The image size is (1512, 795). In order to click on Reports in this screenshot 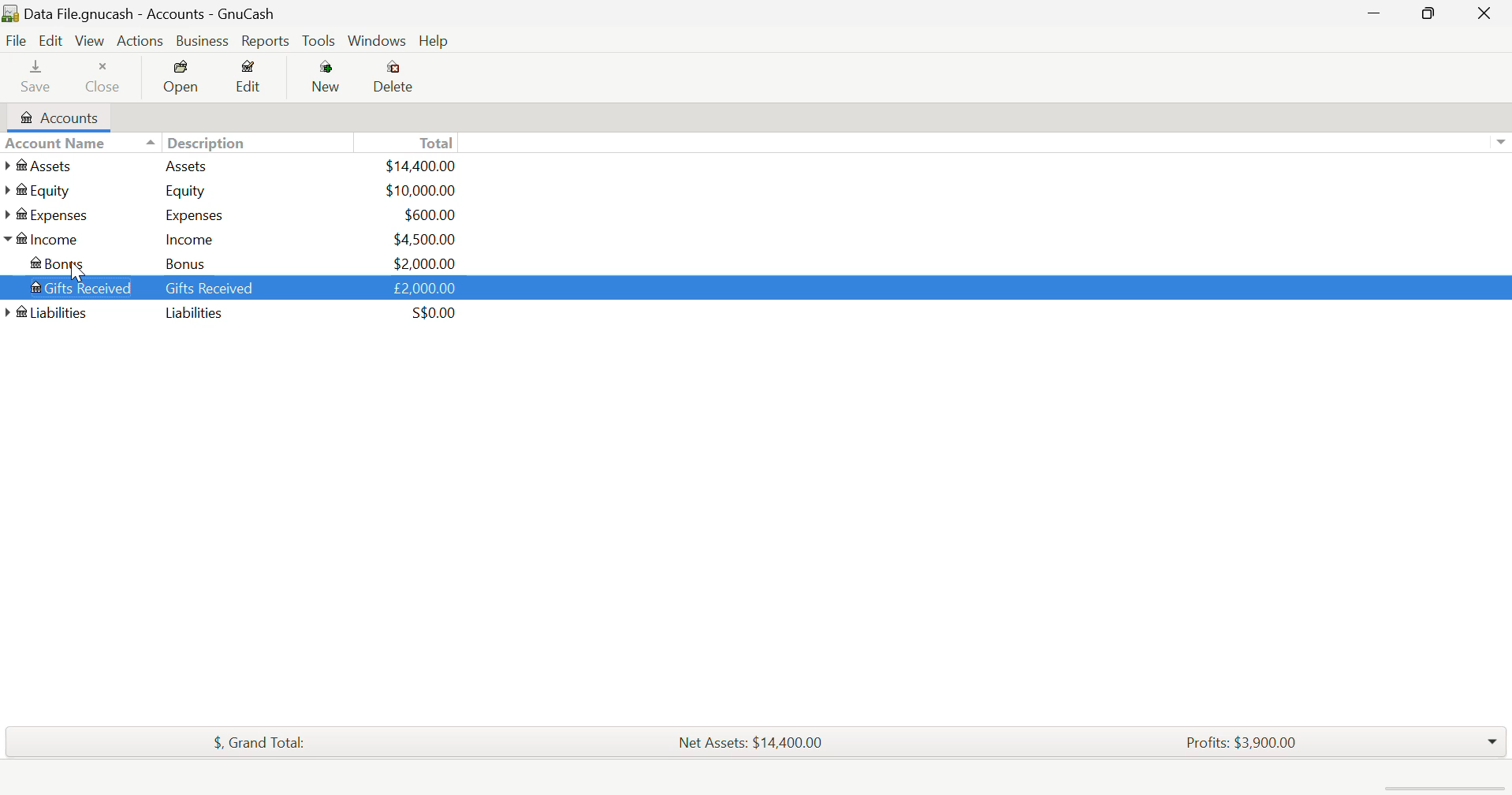, I will do `click(263, 42)`.